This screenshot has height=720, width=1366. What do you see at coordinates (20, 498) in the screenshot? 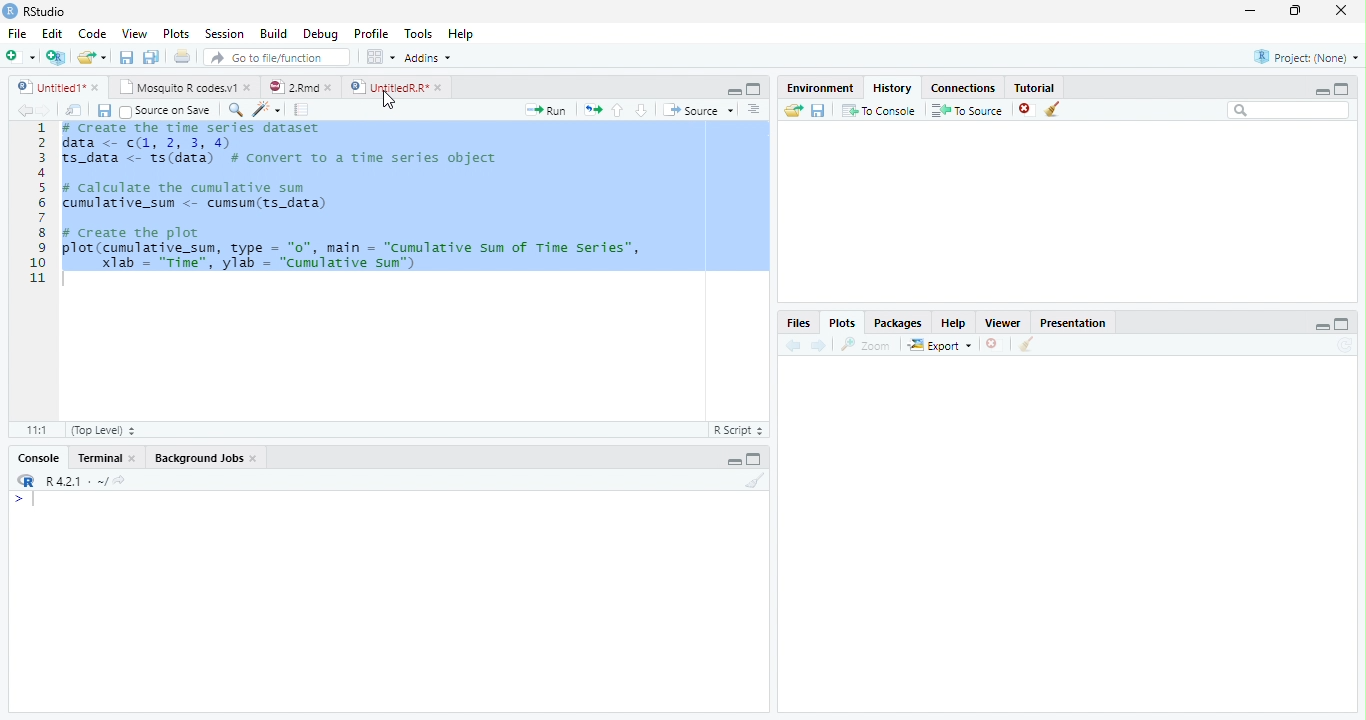
I see `> ` at bounding box center [20, 498].